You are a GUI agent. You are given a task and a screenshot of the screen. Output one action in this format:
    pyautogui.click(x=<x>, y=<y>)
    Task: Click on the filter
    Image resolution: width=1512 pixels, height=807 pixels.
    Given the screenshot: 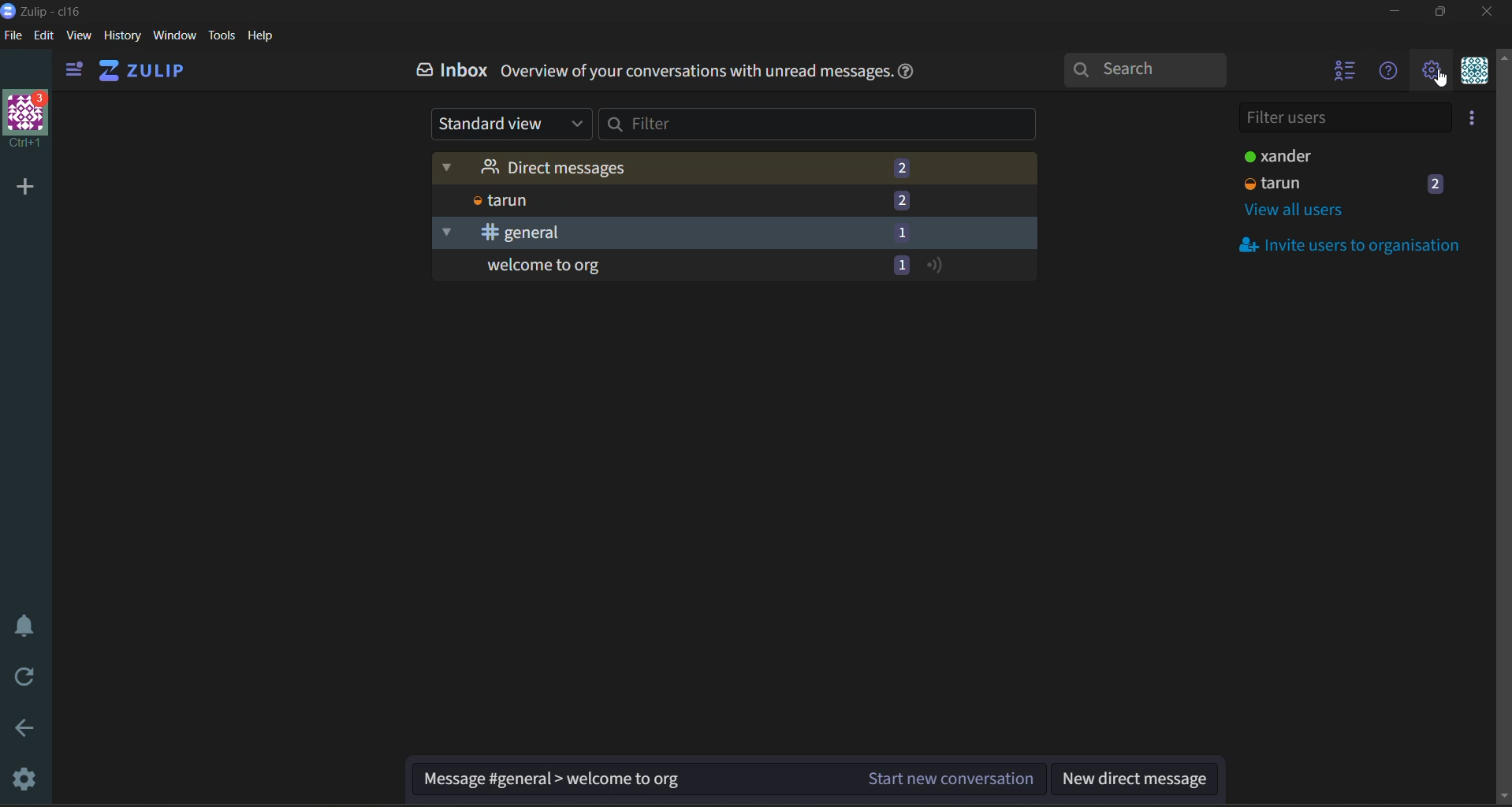 What is the action you would take?
    pyautogui.click(x=828, y=124)
    